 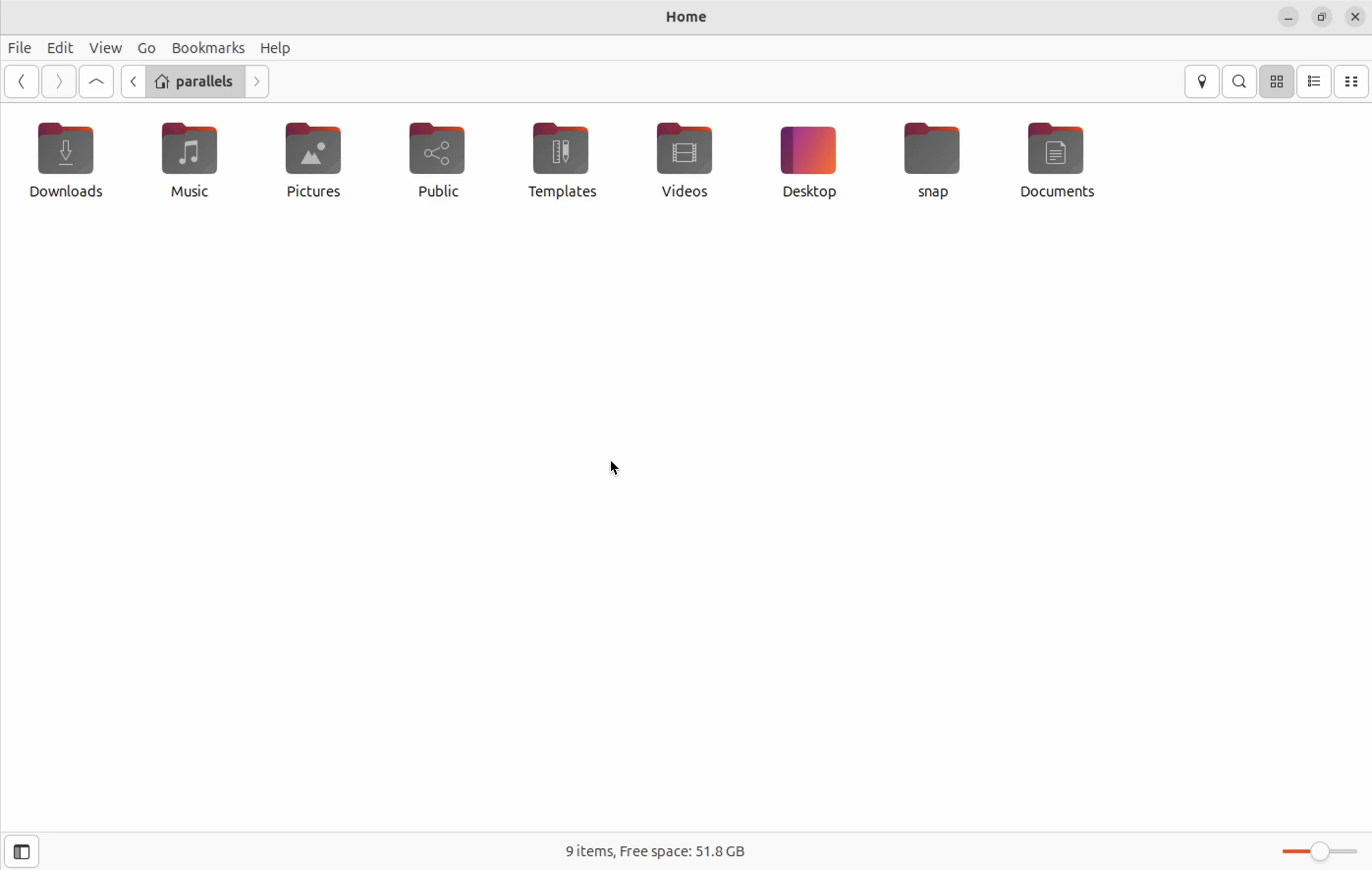 I want to click on parallels, so click(x=193, y=81).